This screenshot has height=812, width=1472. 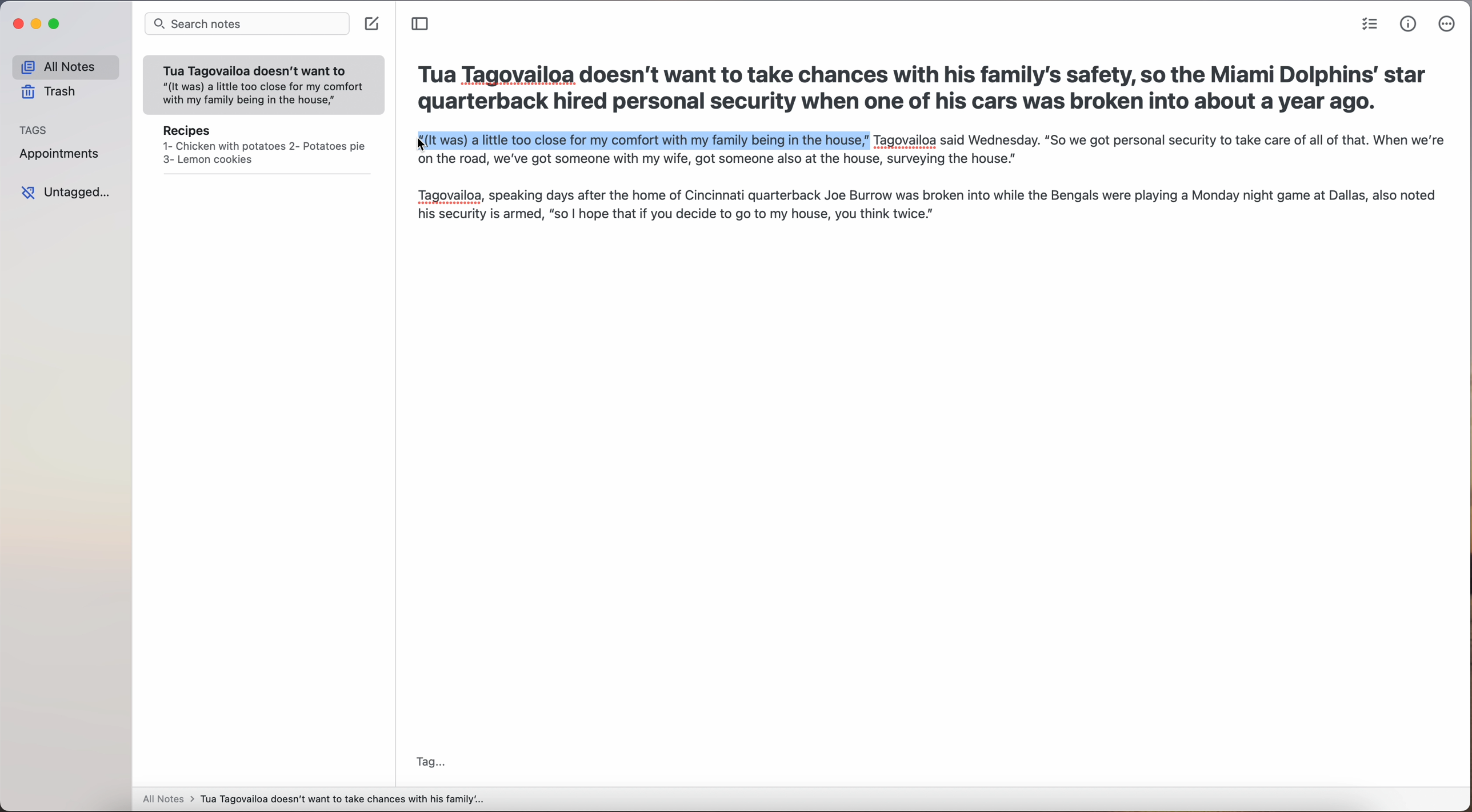 What do you see at coordinates (50, 91) in the screenshot?
I see `trash` at bounding box center [50, 91].